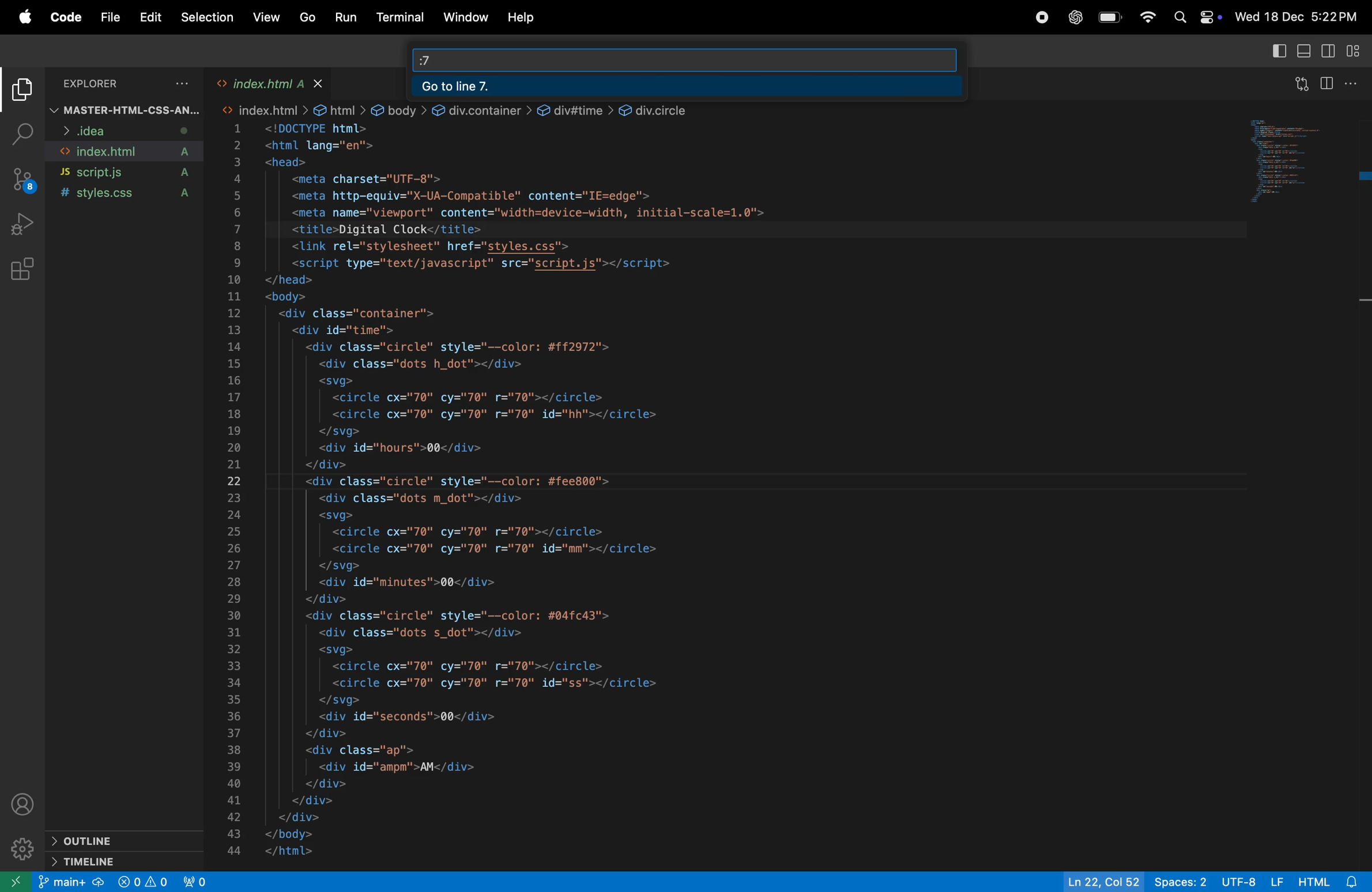  Describe the element at coordinates (1331, 84) in the screenshot. I see `split editor` at that location.